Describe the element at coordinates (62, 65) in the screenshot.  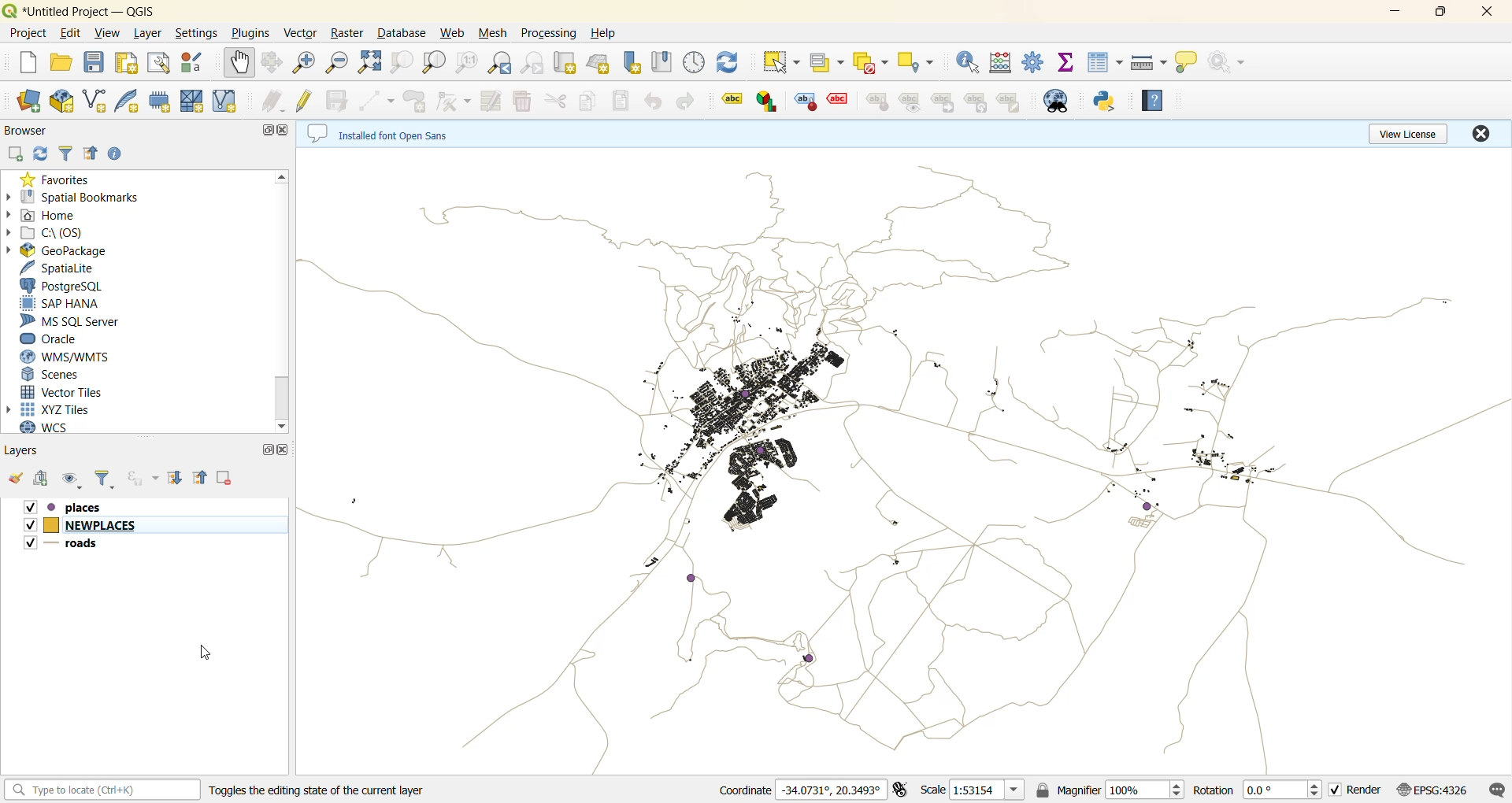
I see `open` at that location.